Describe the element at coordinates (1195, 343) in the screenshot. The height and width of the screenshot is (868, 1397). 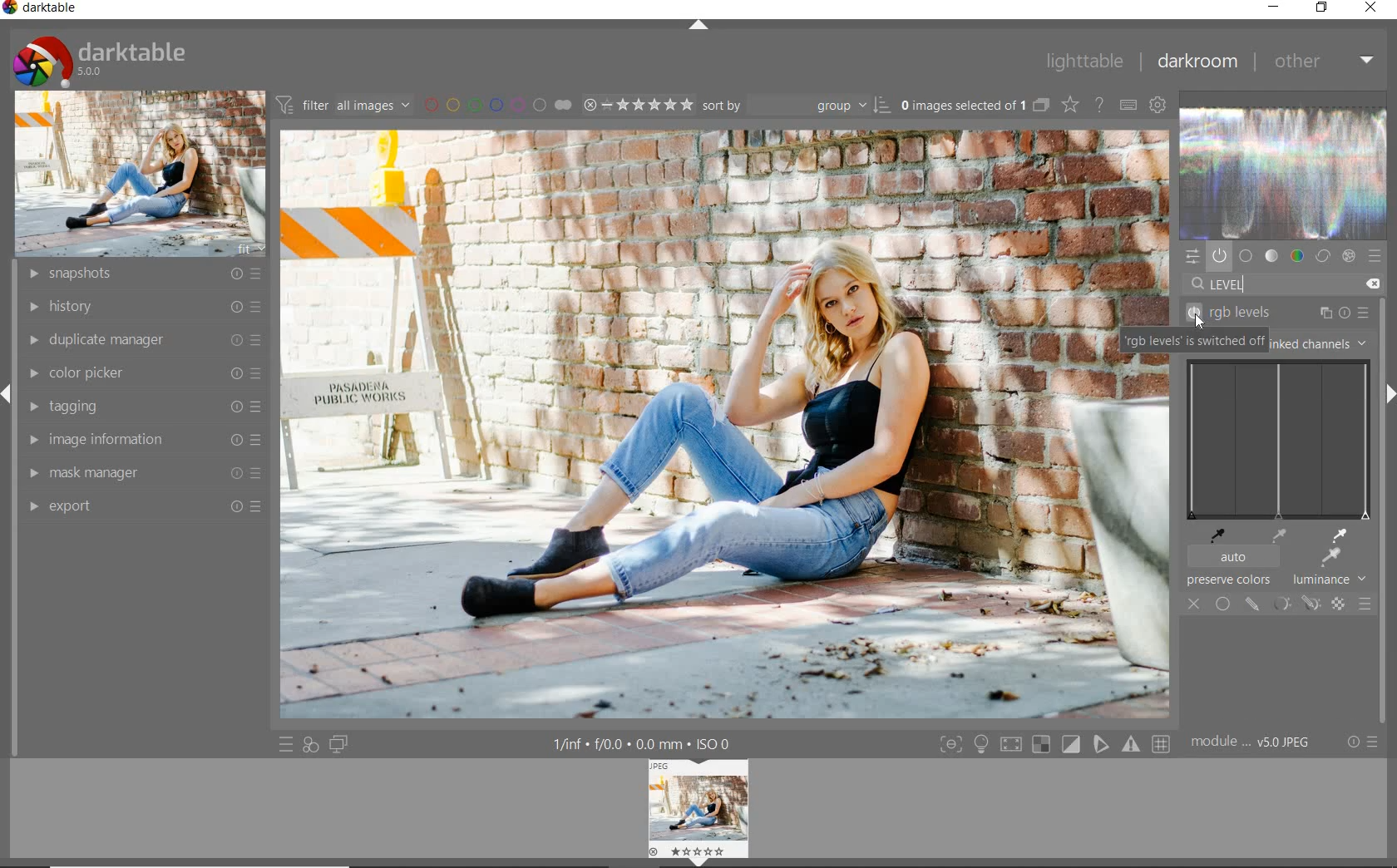
I see `rgb levels is switched off` at that location.